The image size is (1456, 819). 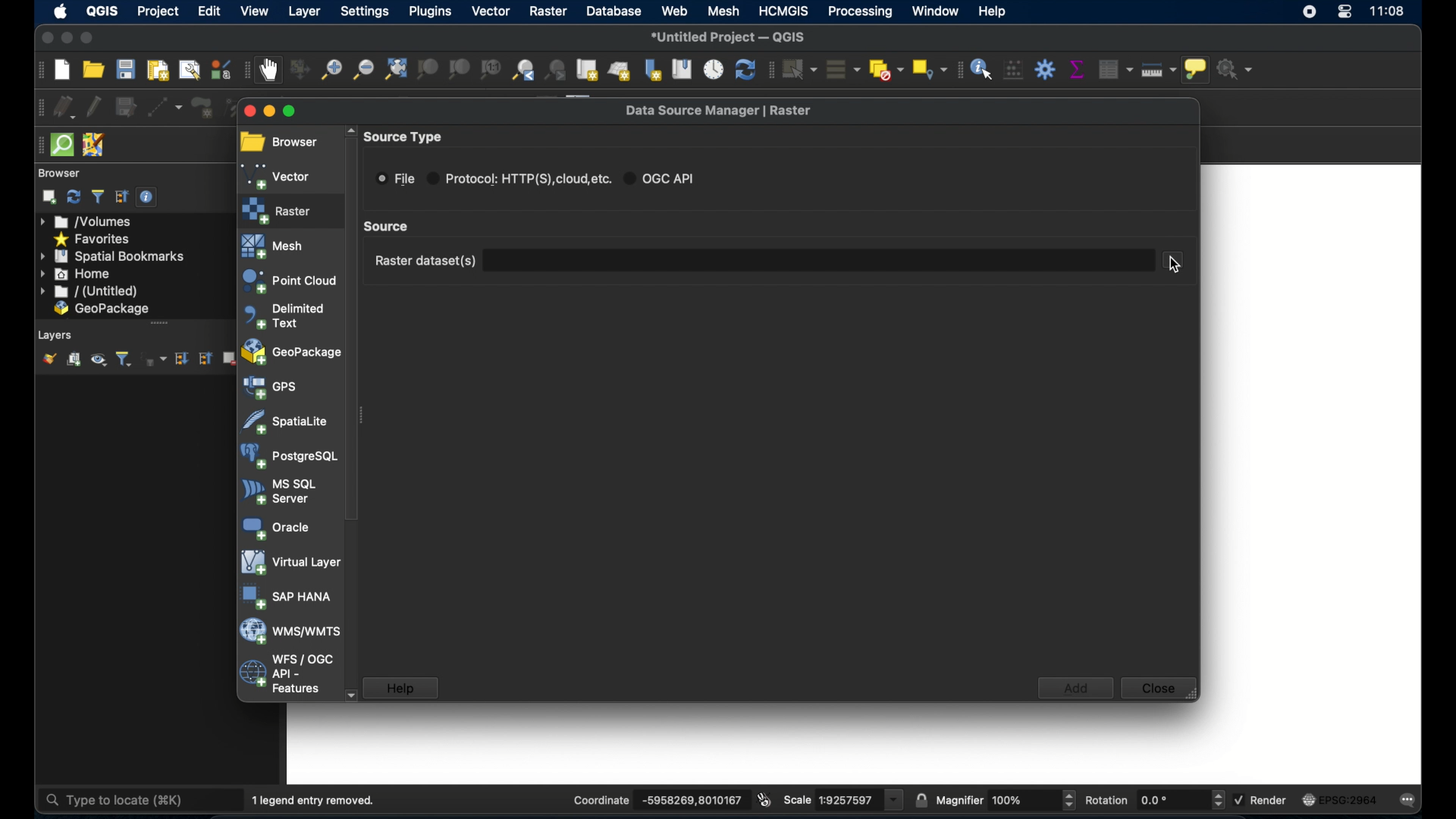 I want to click on digitizing toolbar, so click(x=36, y=108).